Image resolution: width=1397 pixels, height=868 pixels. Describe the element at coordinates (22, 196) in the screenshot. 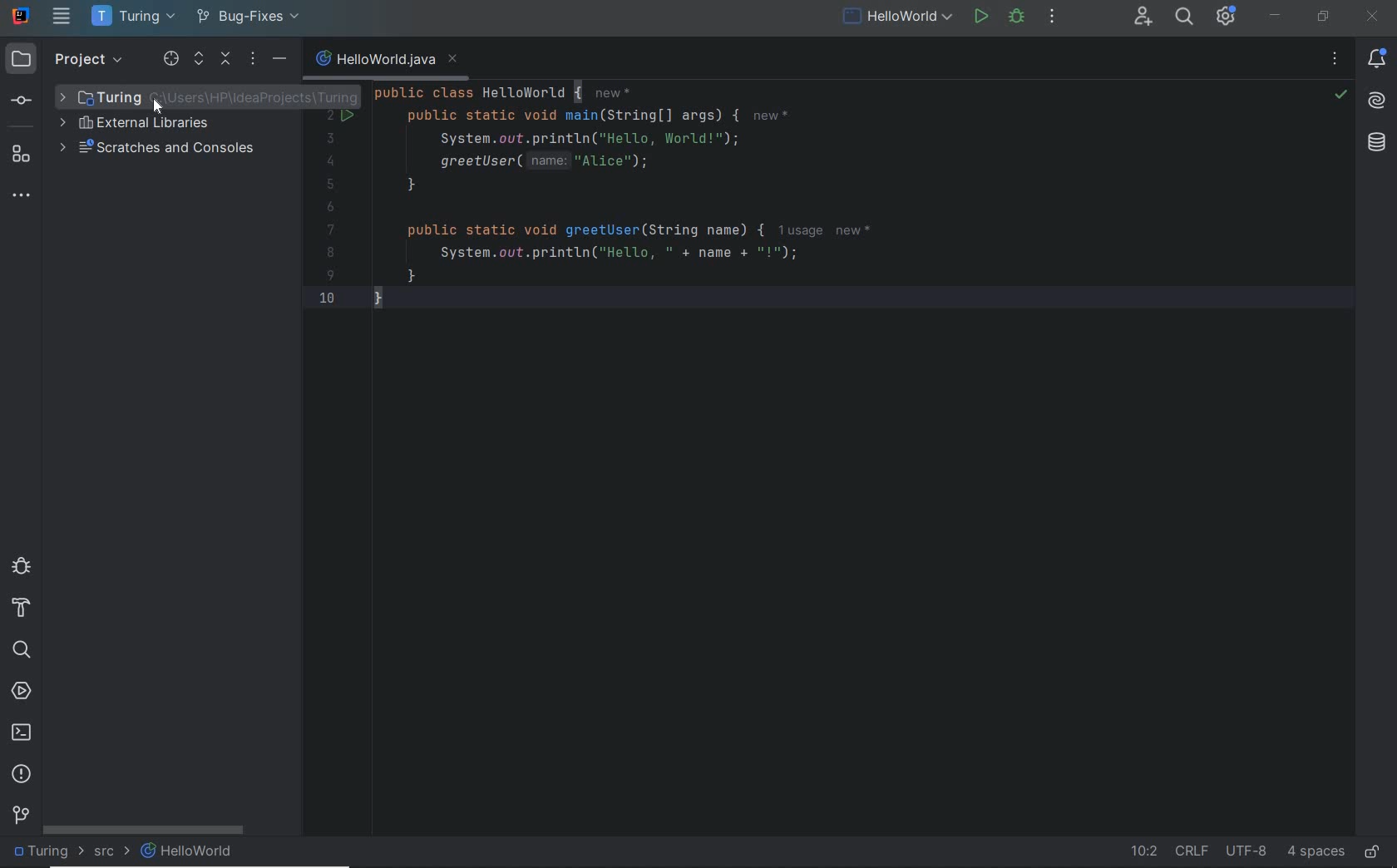

I see `more tool windows` at that location.